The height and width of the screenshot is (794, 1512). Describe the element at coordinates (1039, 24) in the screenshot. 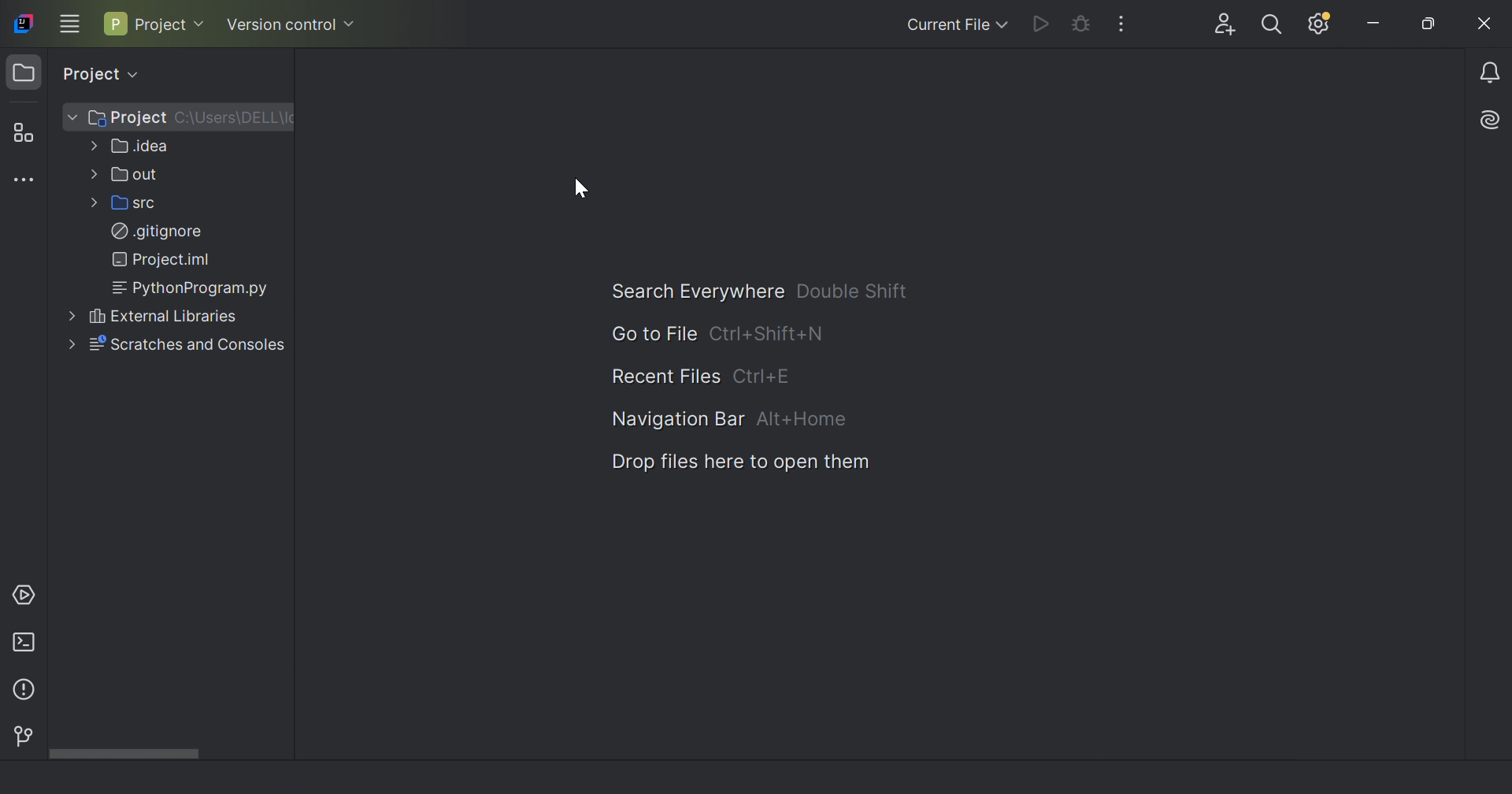

I see `Run` at that location.